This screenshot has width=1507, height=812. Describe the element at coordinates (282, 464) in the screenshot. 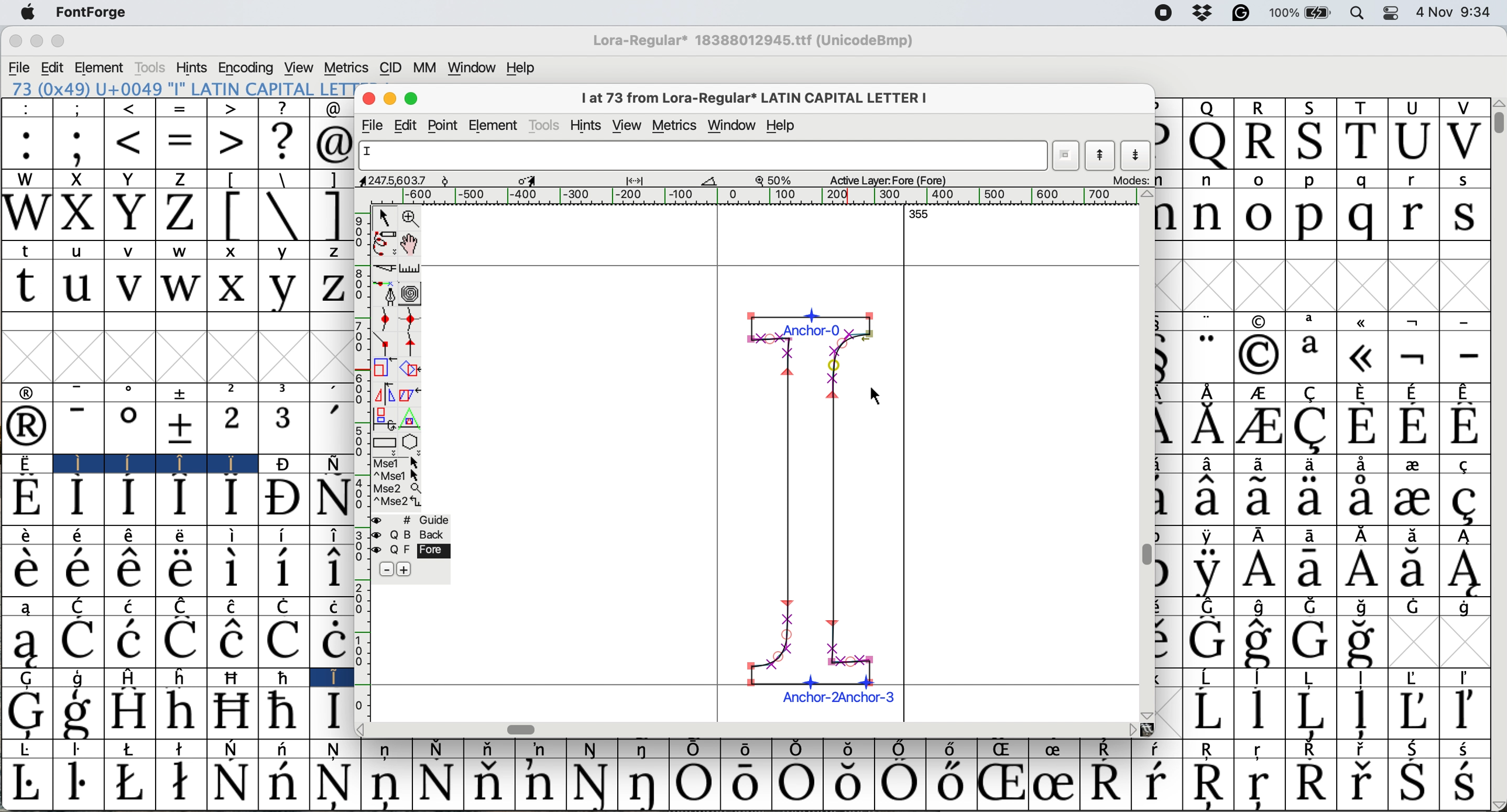

I see `Symbol` at that location.